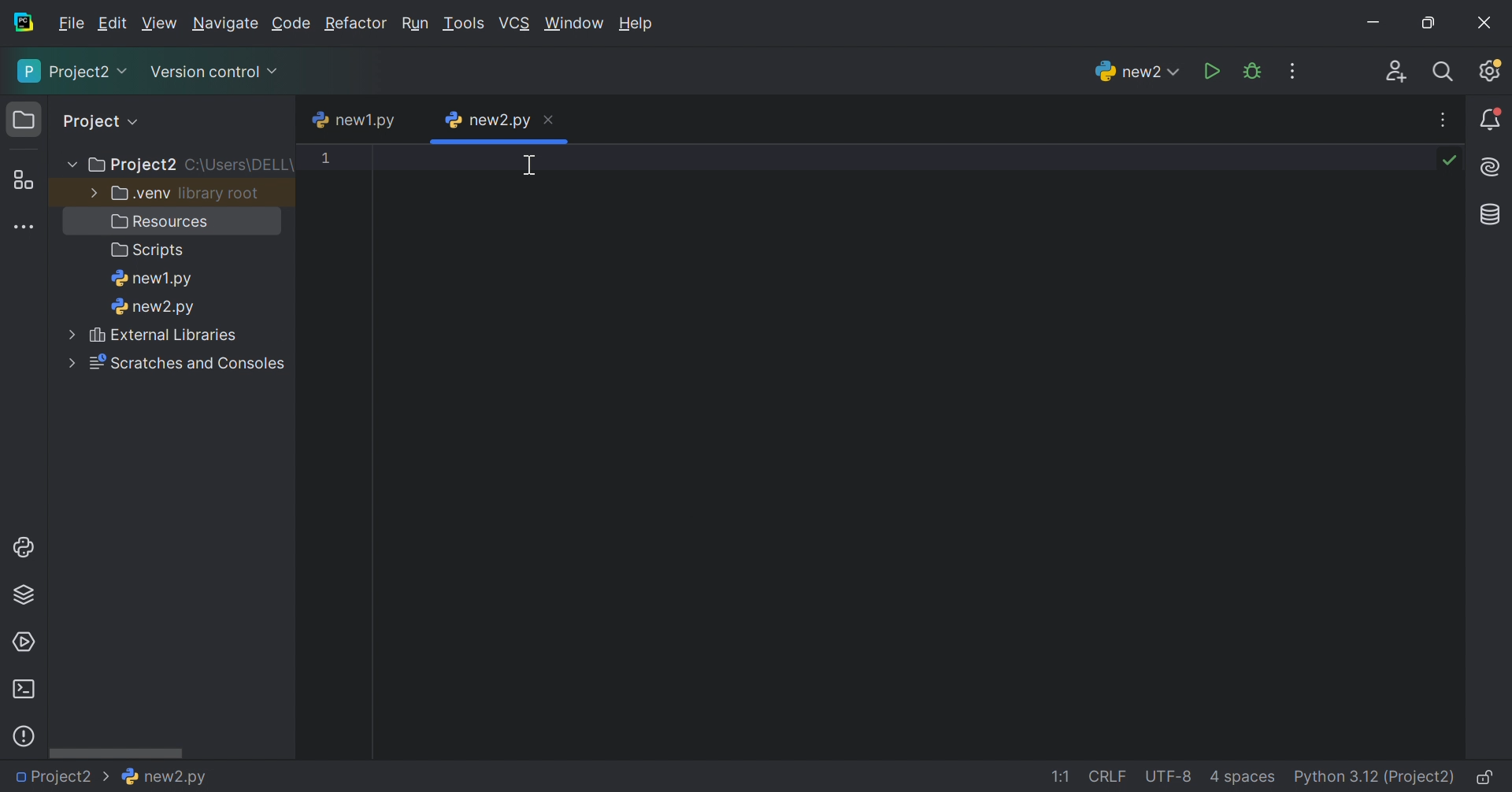  I want to click on External Libraries, so click(163, 335).